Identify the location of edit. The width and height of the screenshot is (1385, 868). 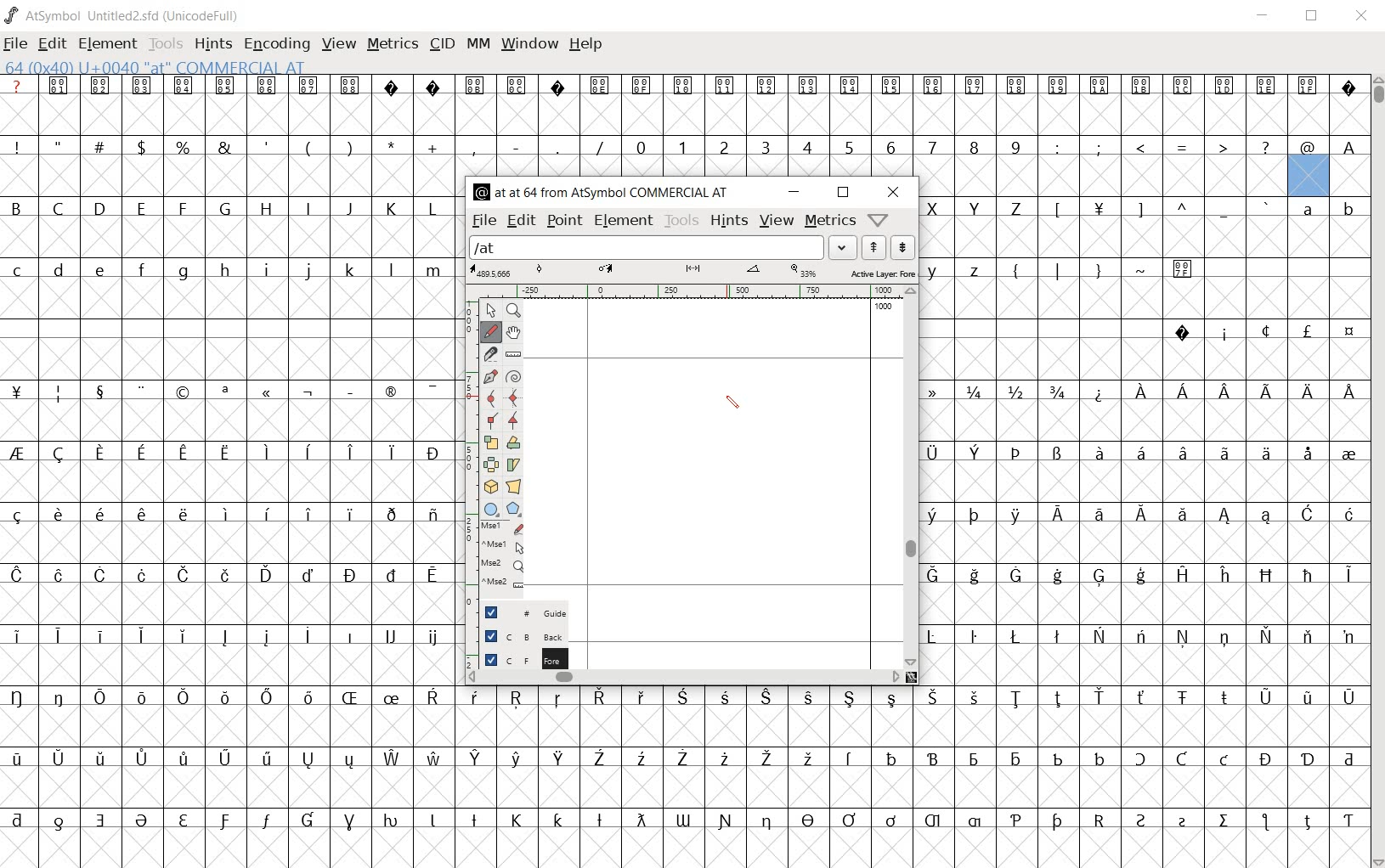
(520, 222).